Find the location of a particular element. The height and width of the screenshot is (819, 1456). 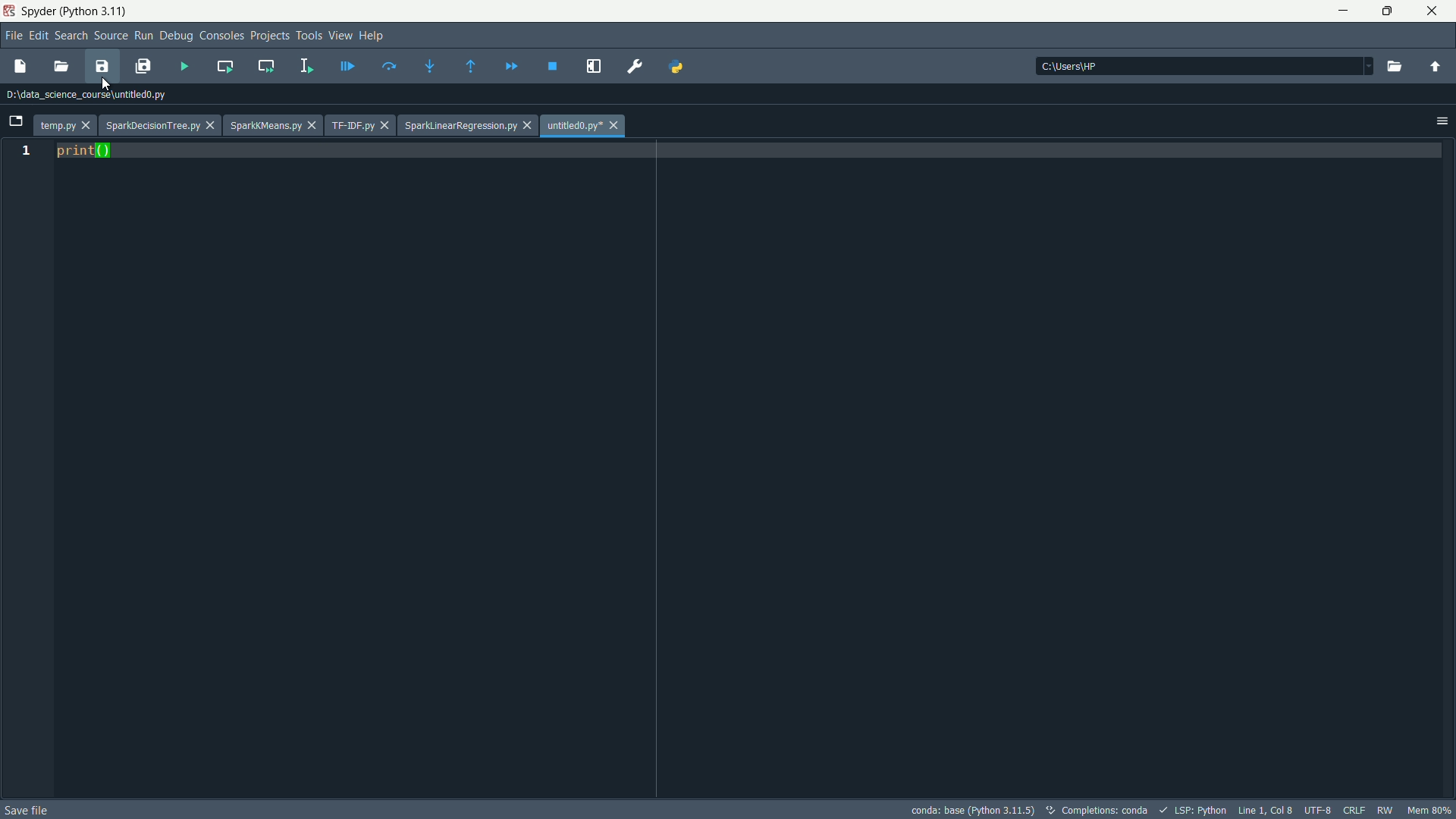

python path manager is located at coordinates (673, 67).